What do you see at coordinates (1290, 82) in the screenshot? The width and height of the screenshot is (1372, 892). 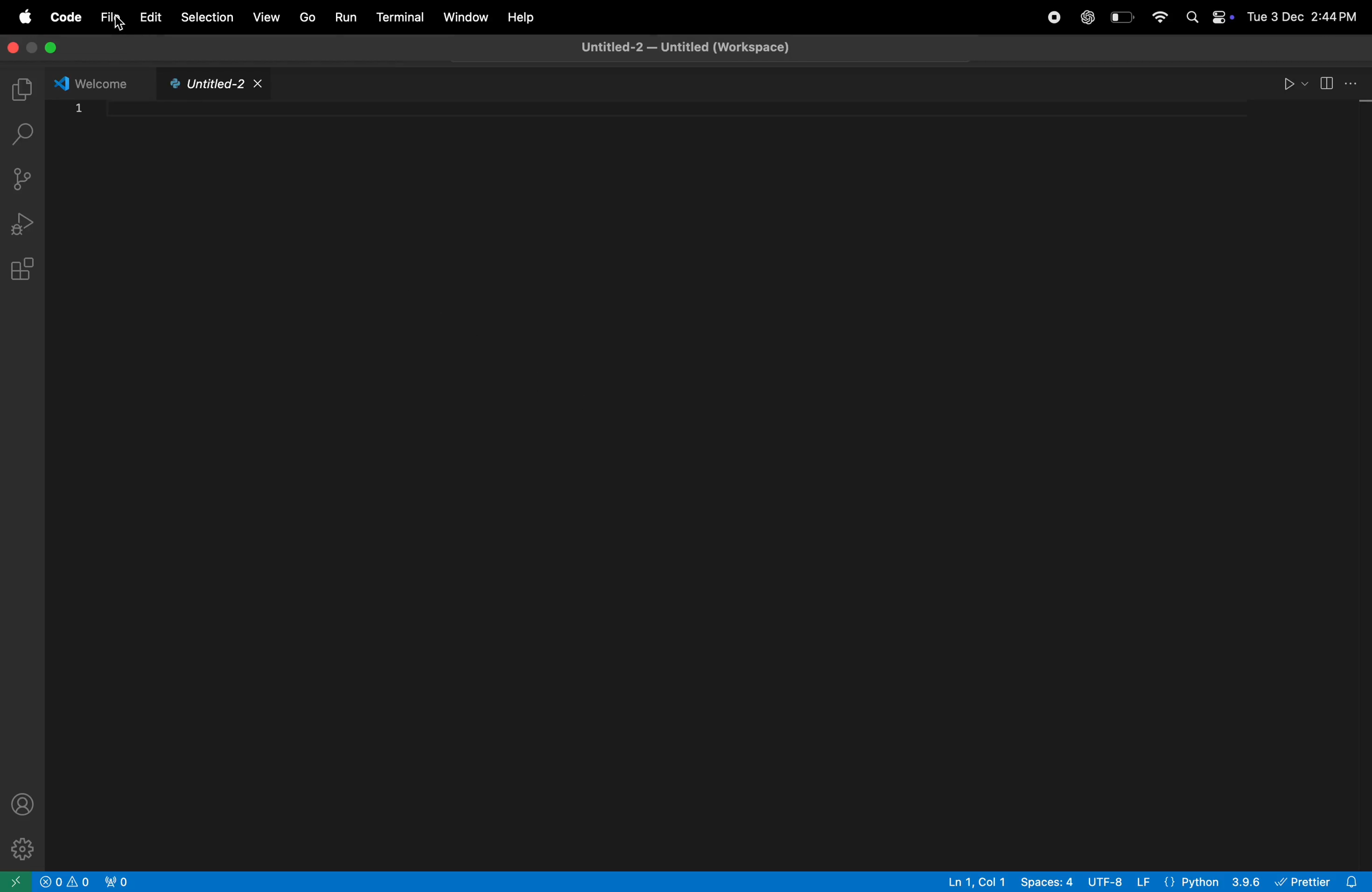 I see `run ` at bounding box center [1290, 82].